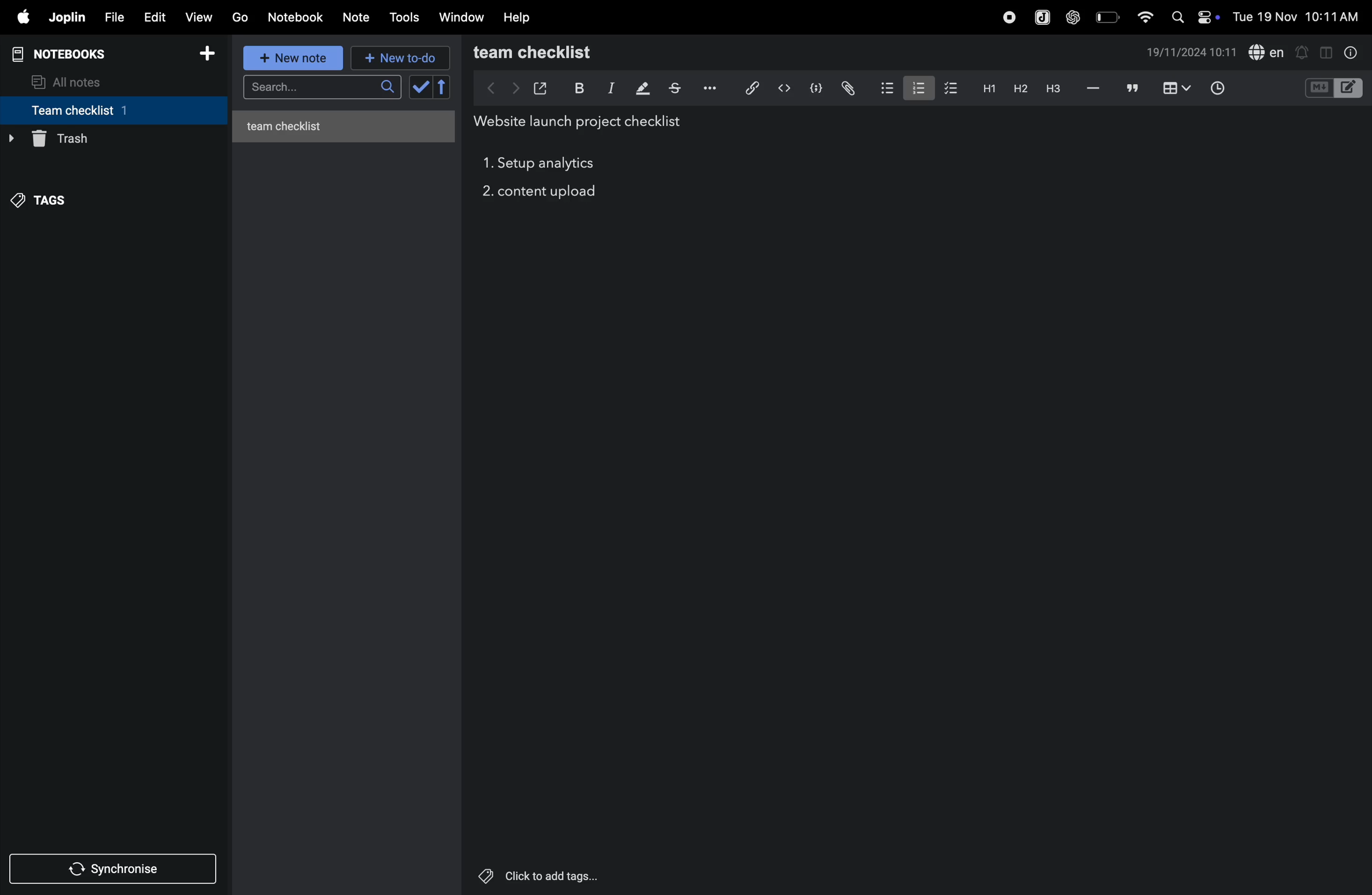 This screenshot has height=895, width=1372. I want to click on hyperlink, so click(747, 87).